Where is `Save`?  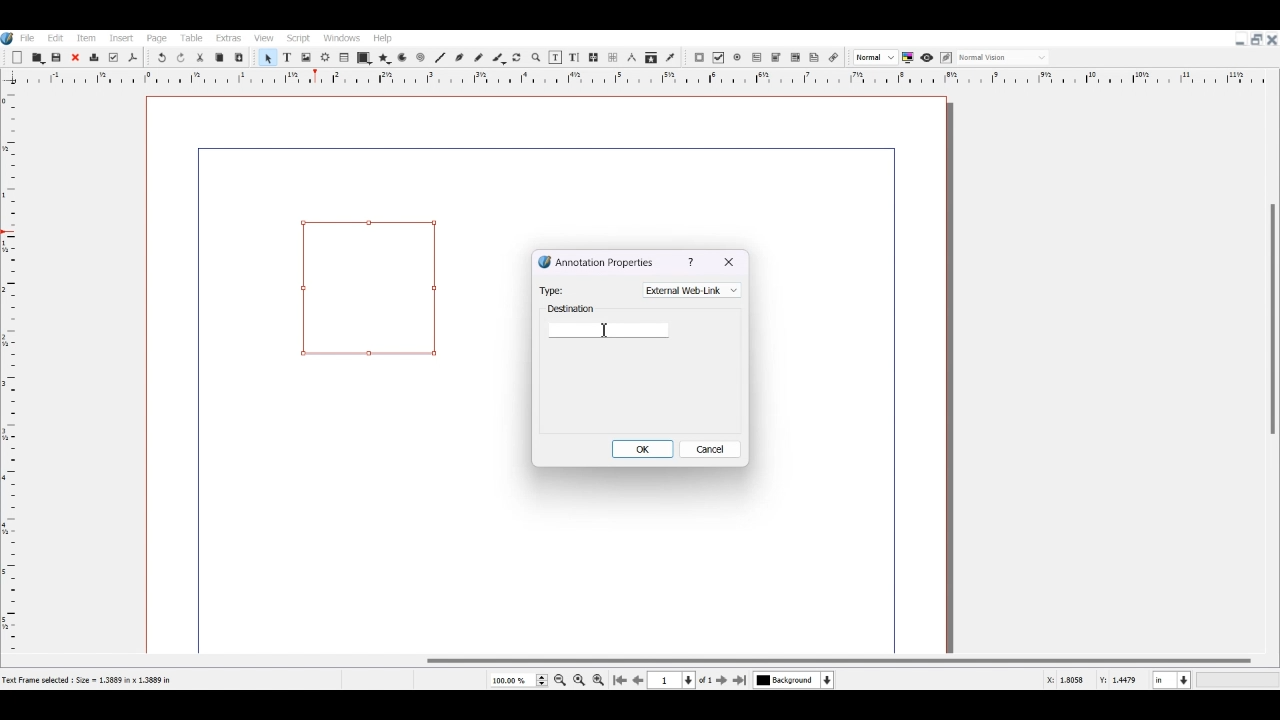 Save is located at coordinates (58, 57).